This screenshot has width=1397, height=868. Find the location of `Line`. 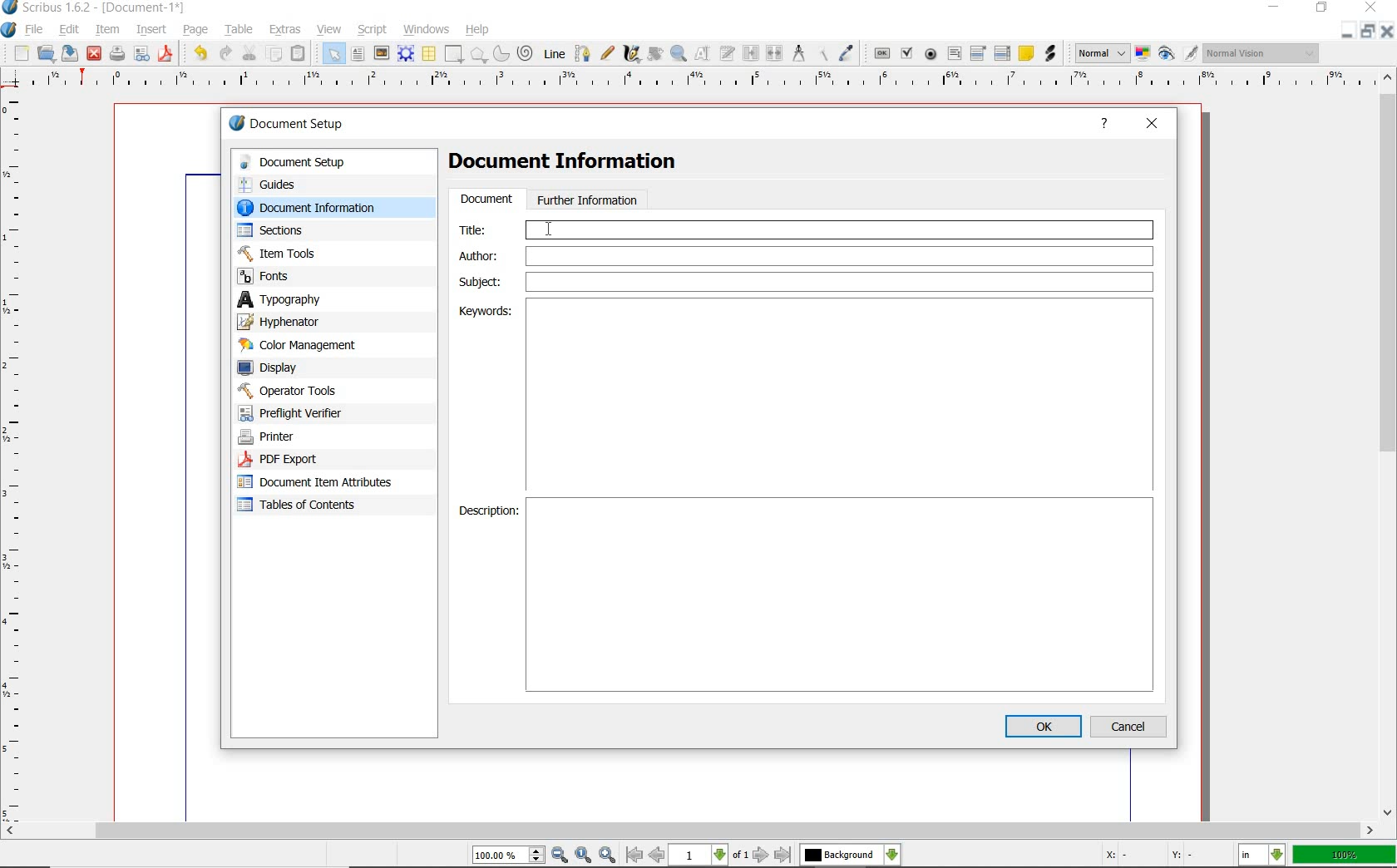

Line is located at coordinates (554, 54).